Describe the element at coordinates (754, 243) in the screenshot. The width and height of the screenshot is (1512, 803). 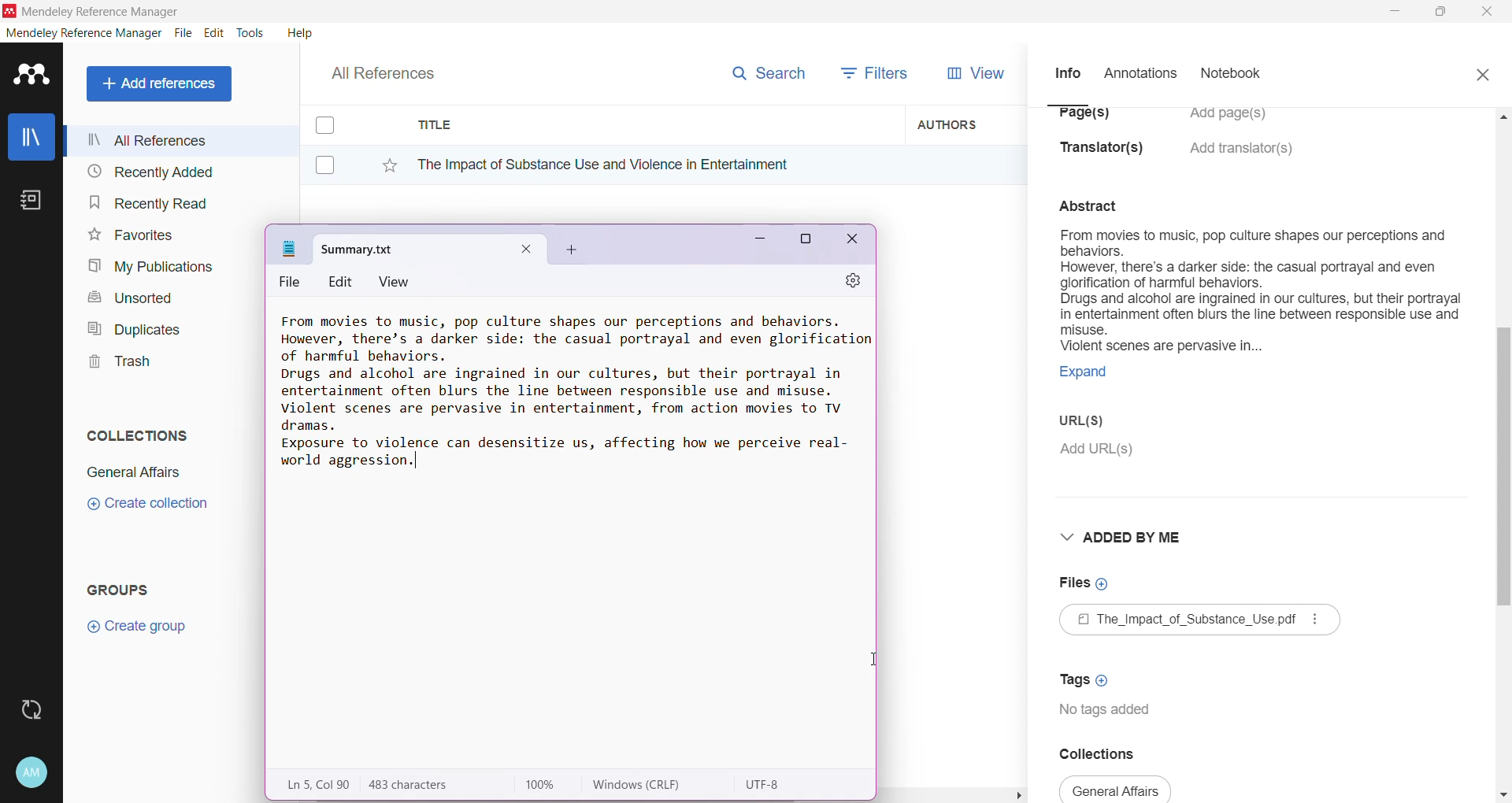
I see `Minimize` at that location.